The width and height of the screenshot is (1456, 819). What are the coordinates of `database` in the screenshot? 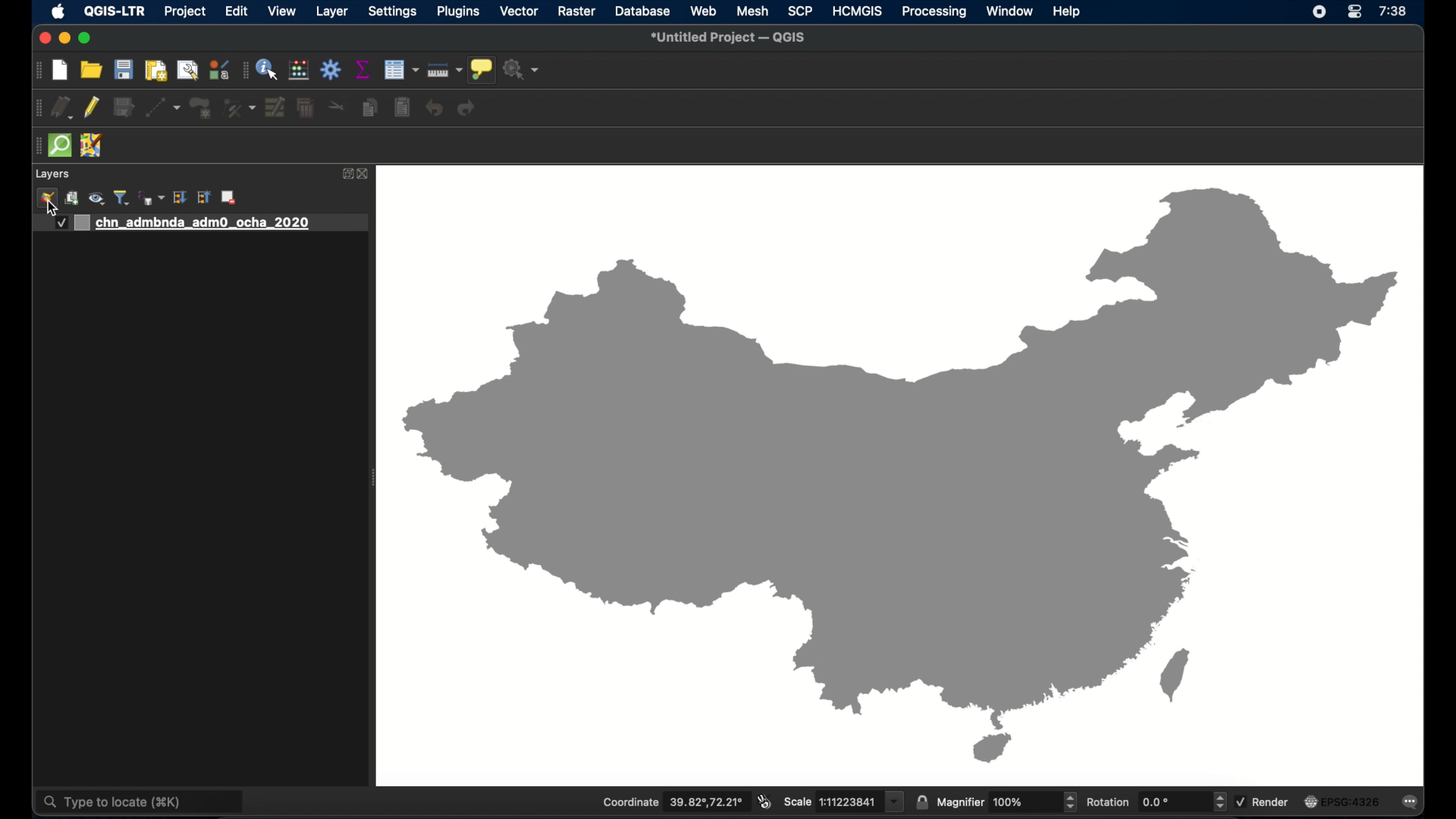 It's located at (642, 11).